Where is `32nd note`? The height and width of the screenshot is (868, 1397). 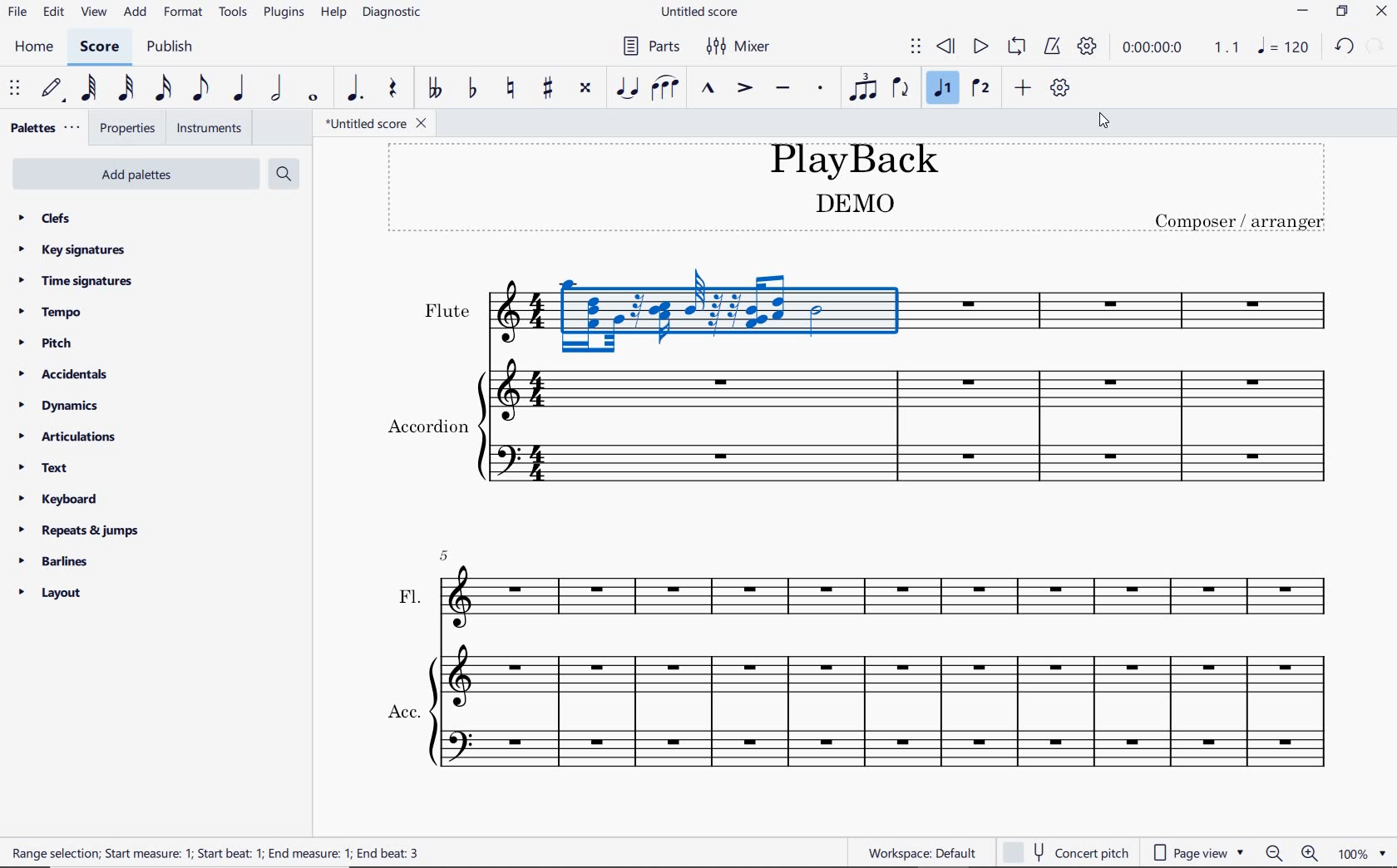 32nd note is located at coordinates (128, 90).